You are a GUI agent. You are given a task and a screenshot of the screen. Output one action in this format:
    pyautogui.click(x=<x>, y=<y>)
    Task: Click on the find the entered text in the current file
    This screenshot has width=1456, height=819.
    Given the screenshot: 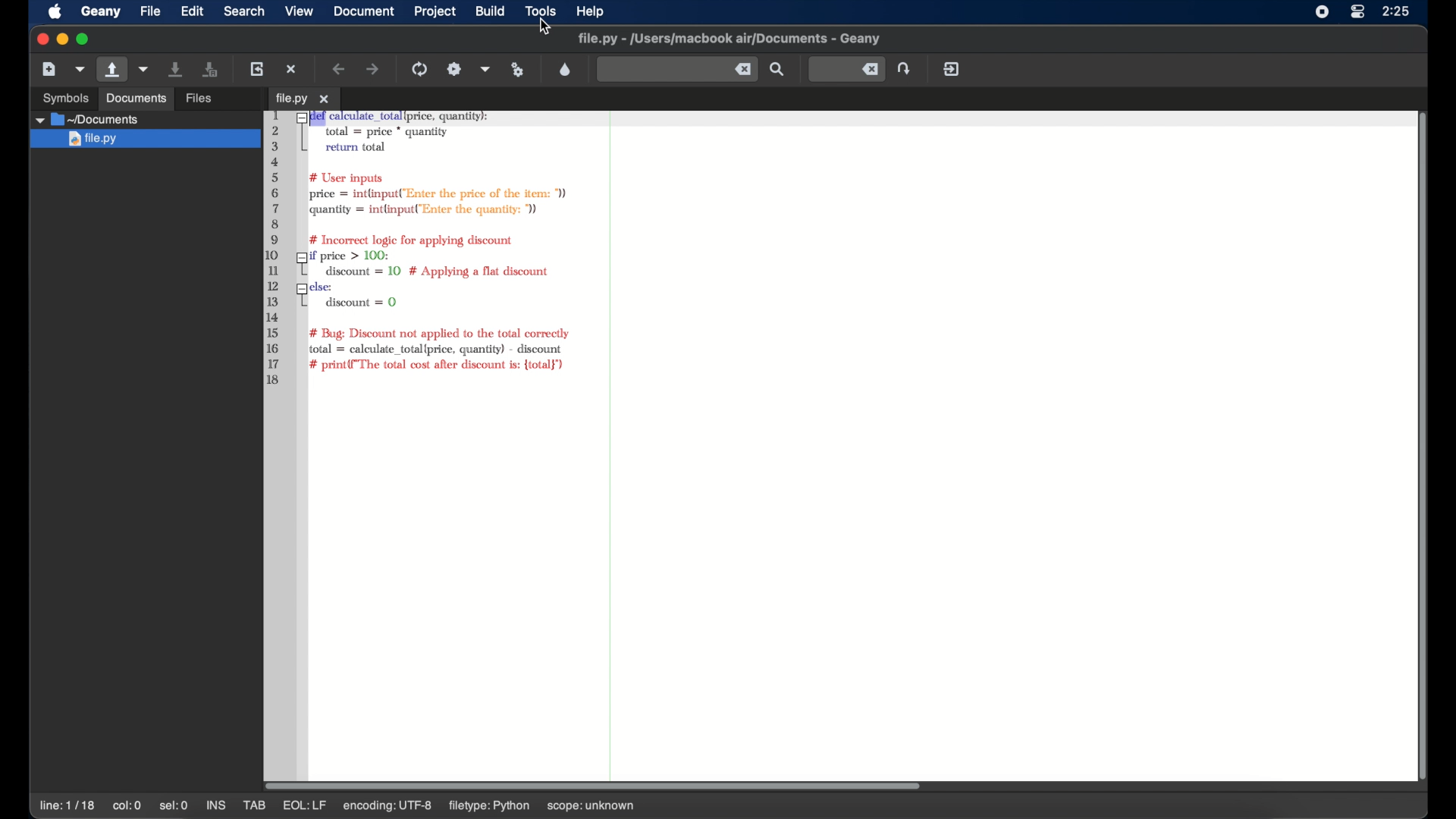 What is the action you would take?
    pyautogui.click(x=676, y=69)
    